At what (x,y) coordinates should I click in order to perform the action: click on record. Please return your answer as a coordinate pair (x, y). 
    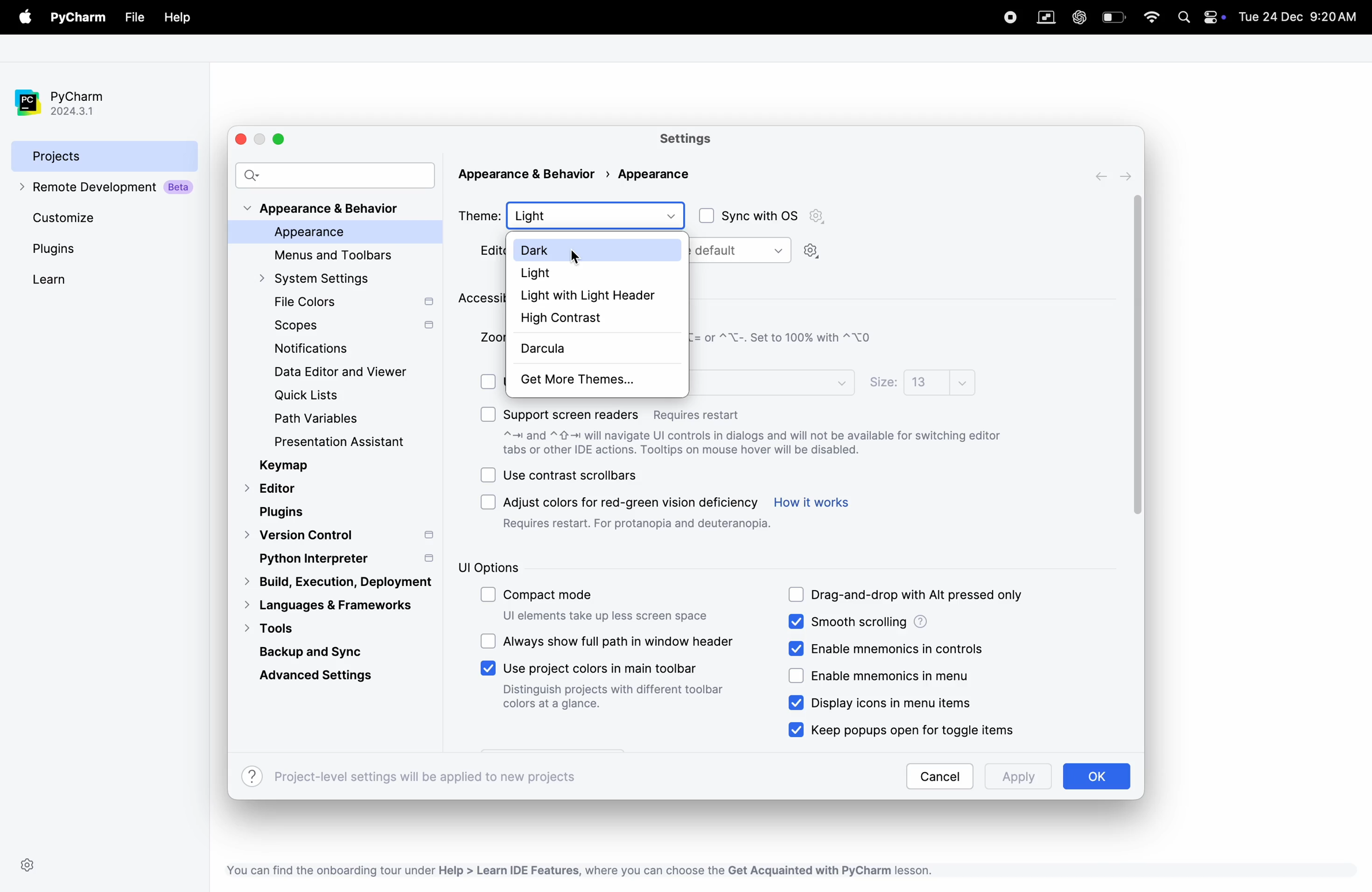
    Looking at the image, I should click on (1004, 16).